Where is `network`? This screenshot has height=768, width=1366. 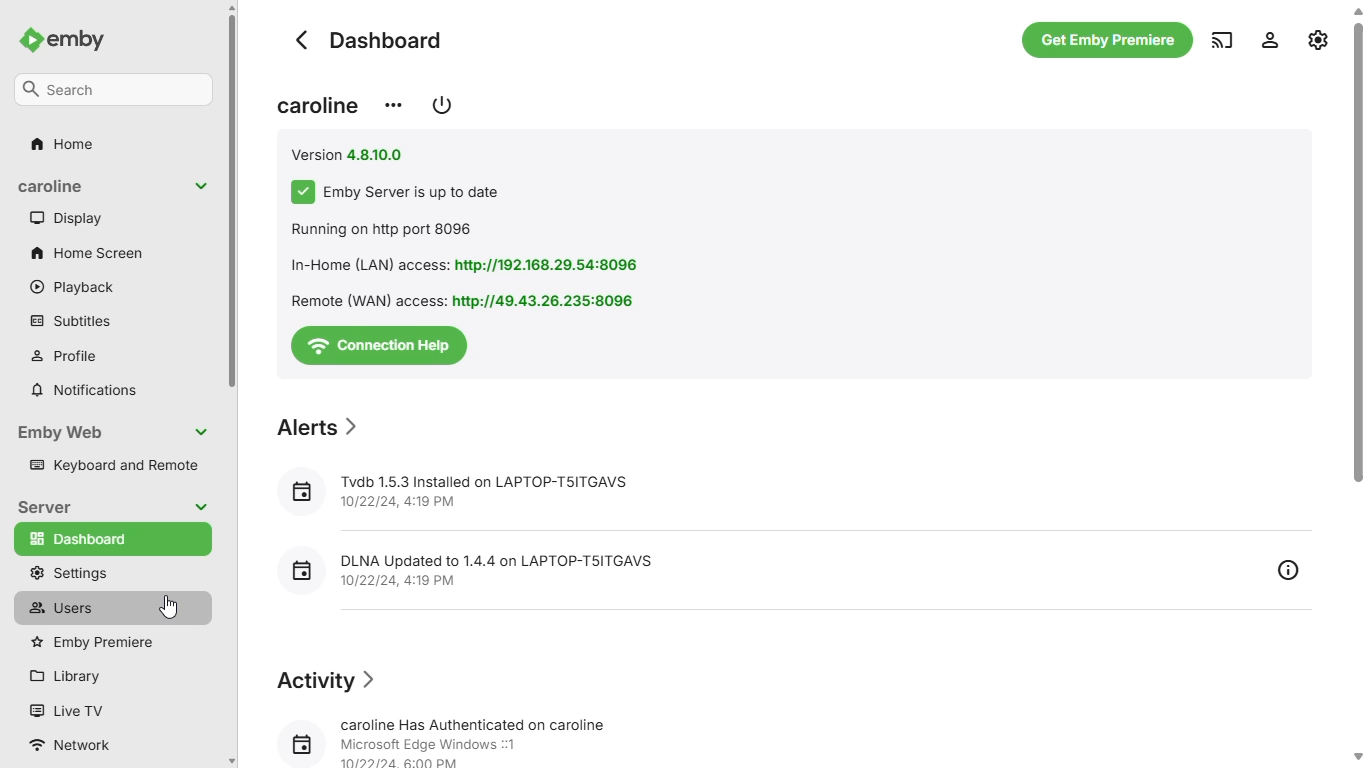
network is located at coordinates (71, 745).